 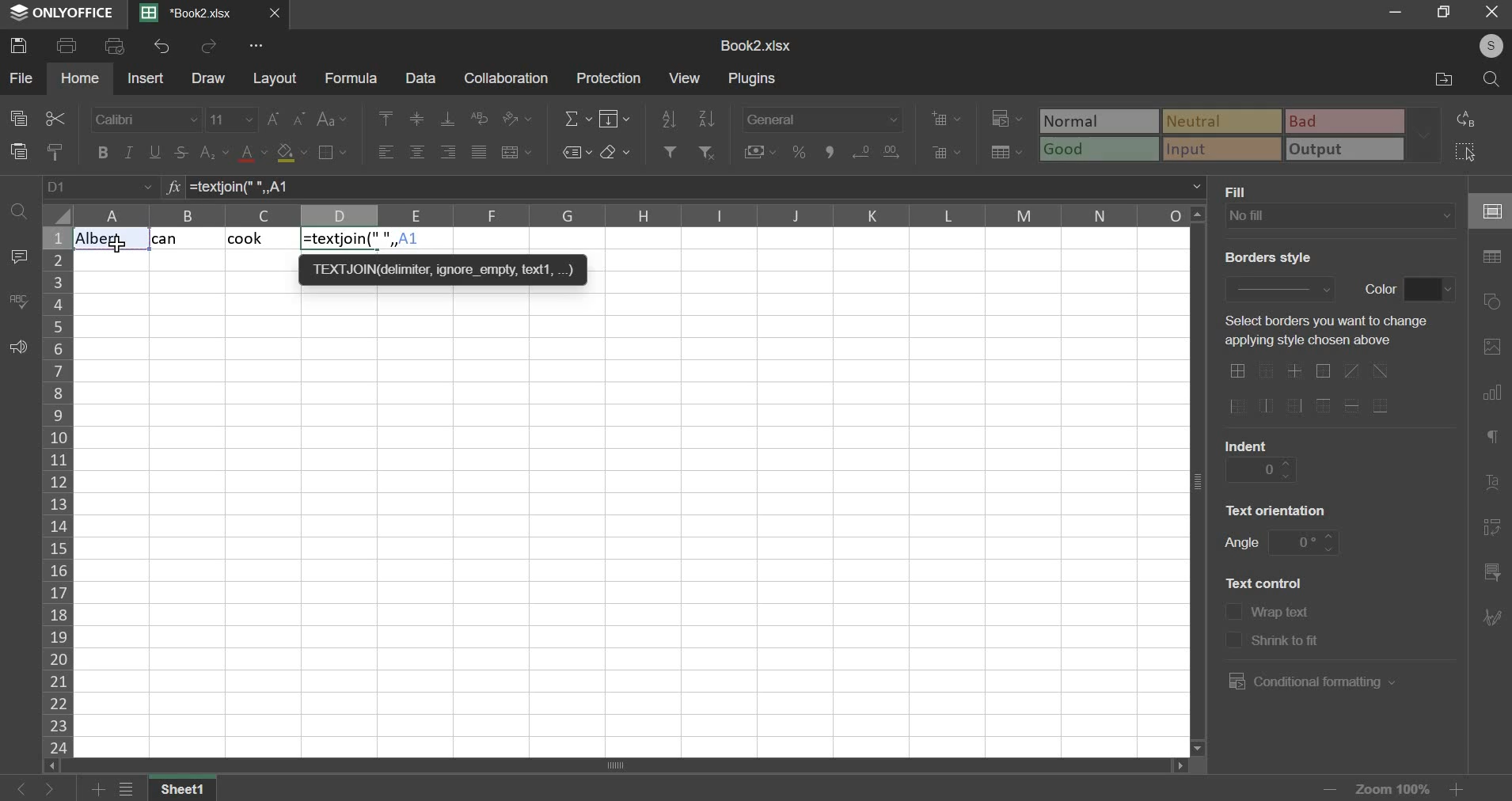 I want to click on user's account, so click(x=1482, y=44).